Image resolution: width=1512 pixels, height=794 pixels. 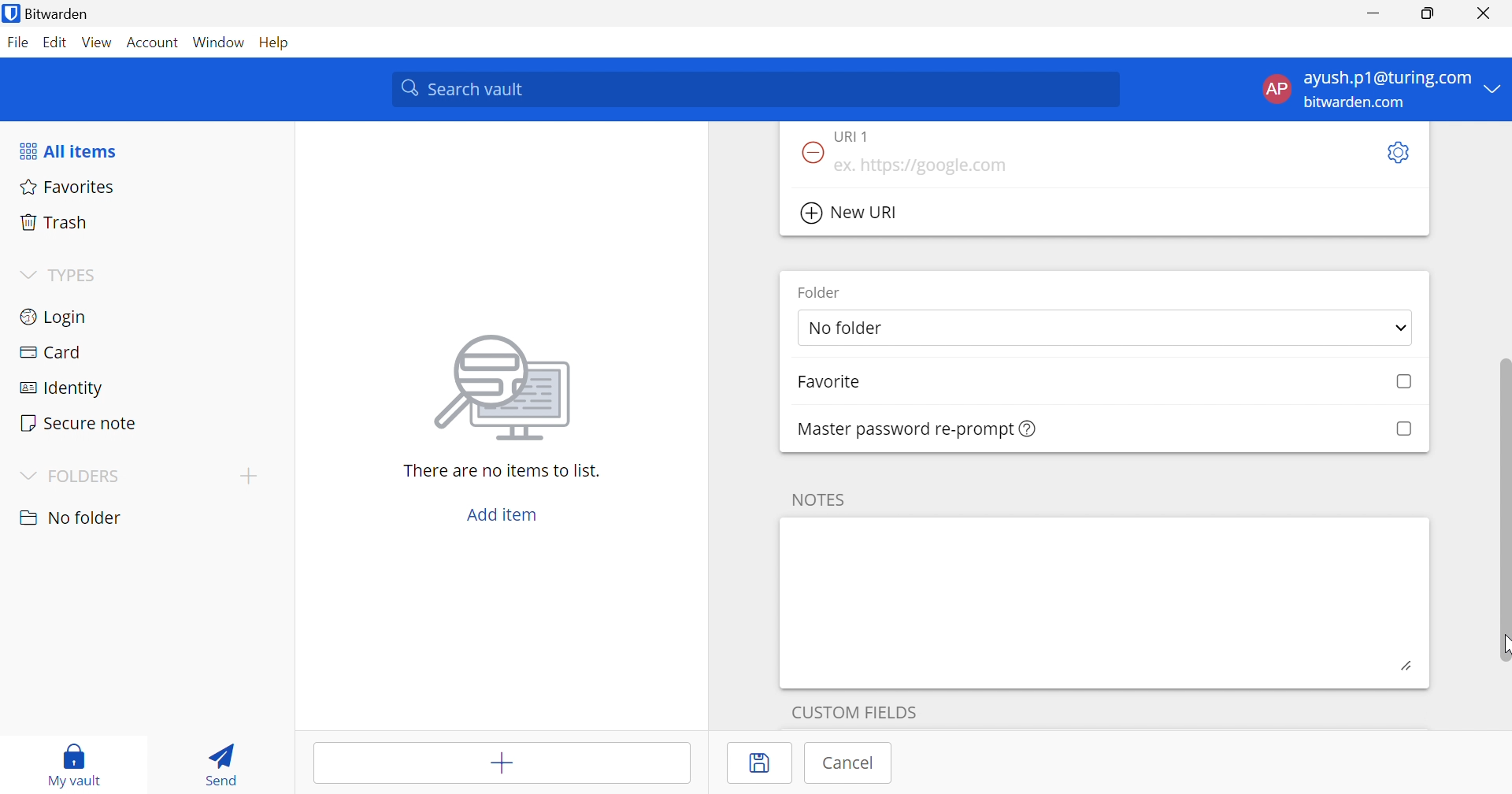 What do you see at coordinates (220, 43) in the screenshot?
I see `Window` at bounding box center [220, 43].